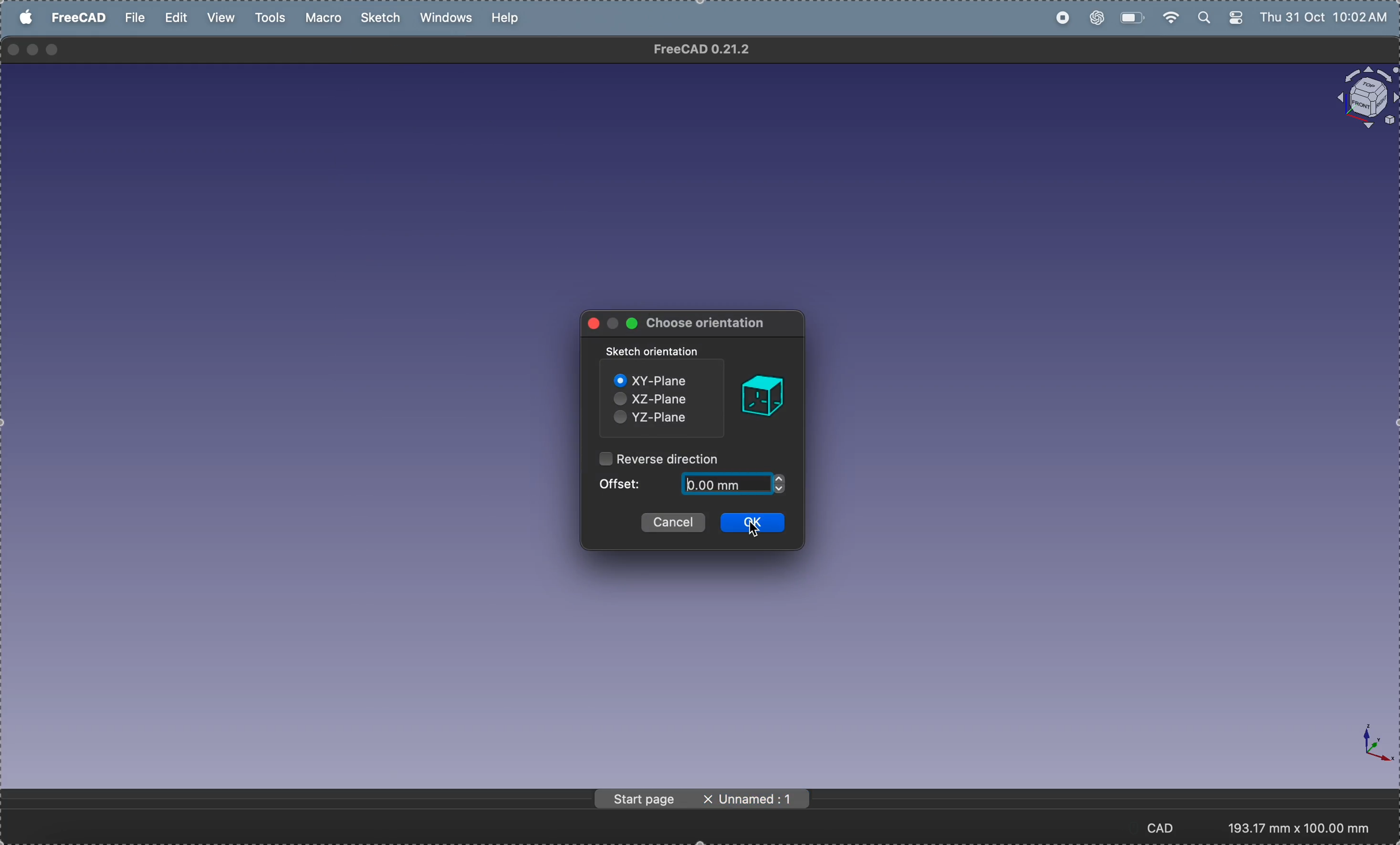 The height and width of the screenshot is (845, 1400). What do you see at coordinates (53, 51) in the screenshot?
I see `maximize` at bounding box center [53, 51].